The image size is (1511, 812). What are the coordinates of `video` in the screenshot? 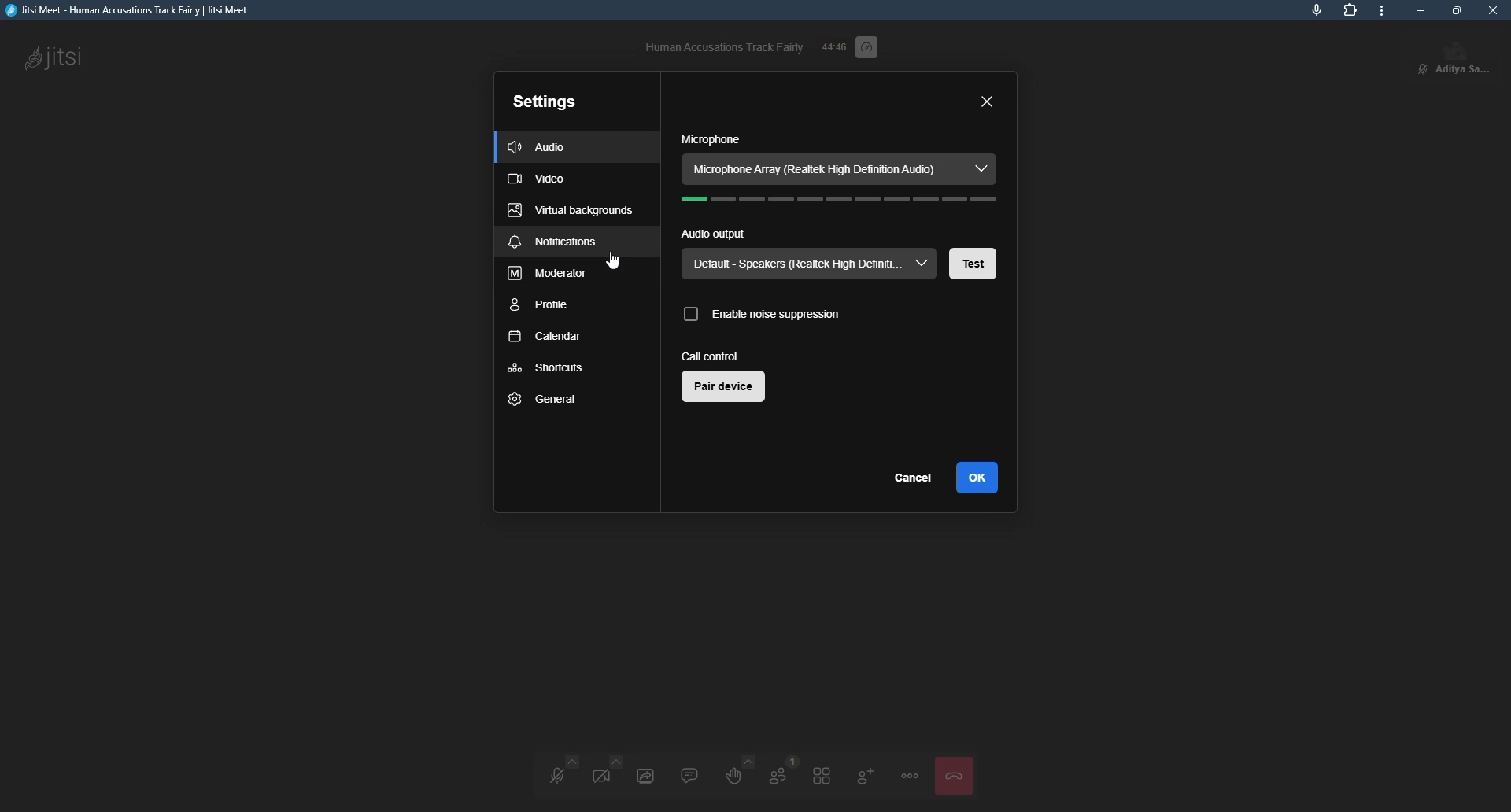 It's located at (538, 180).